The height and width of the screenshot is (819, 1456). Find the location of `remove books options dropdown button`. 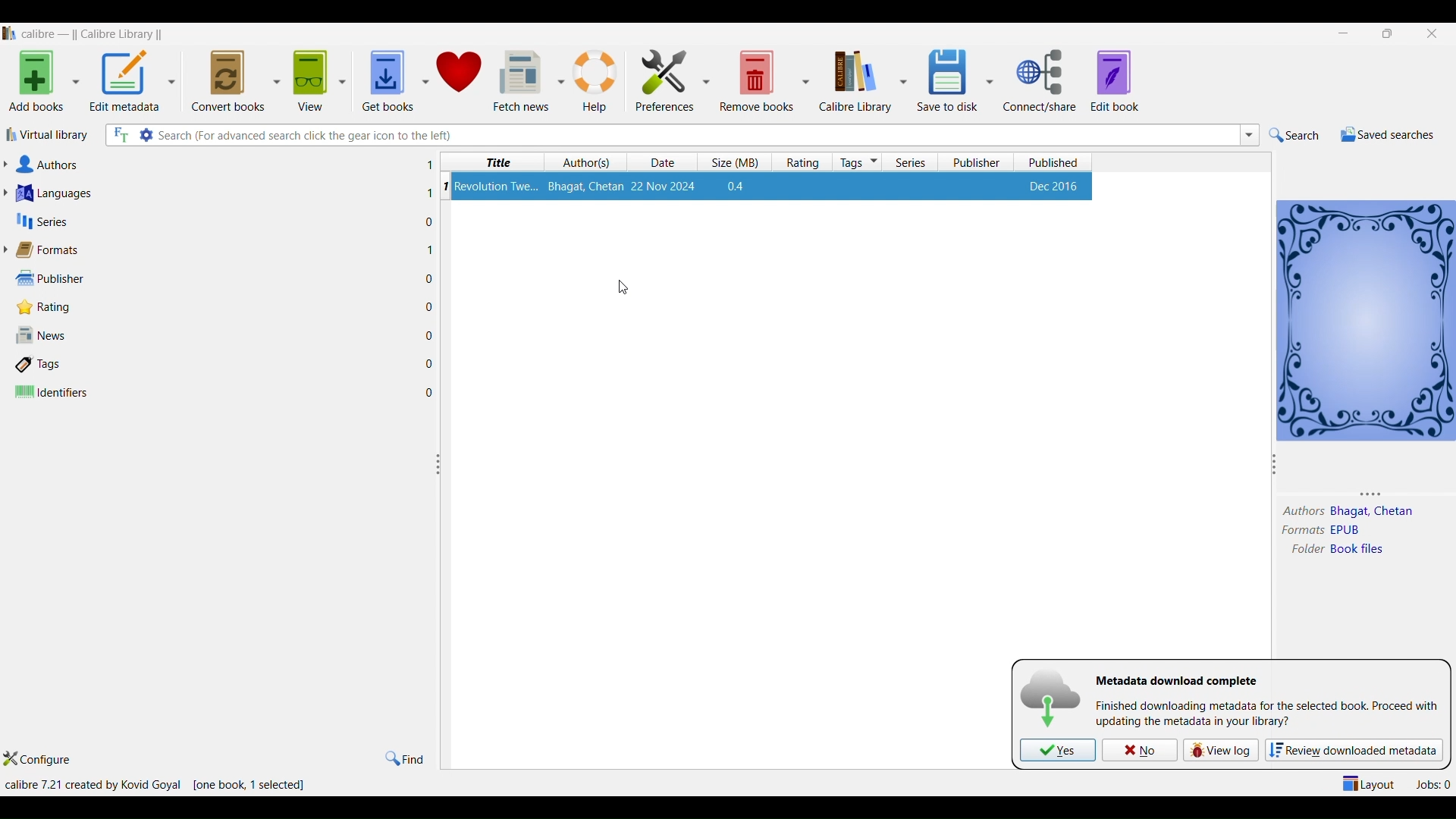

remove books options dropdown button is located at coordinates (806, 76).